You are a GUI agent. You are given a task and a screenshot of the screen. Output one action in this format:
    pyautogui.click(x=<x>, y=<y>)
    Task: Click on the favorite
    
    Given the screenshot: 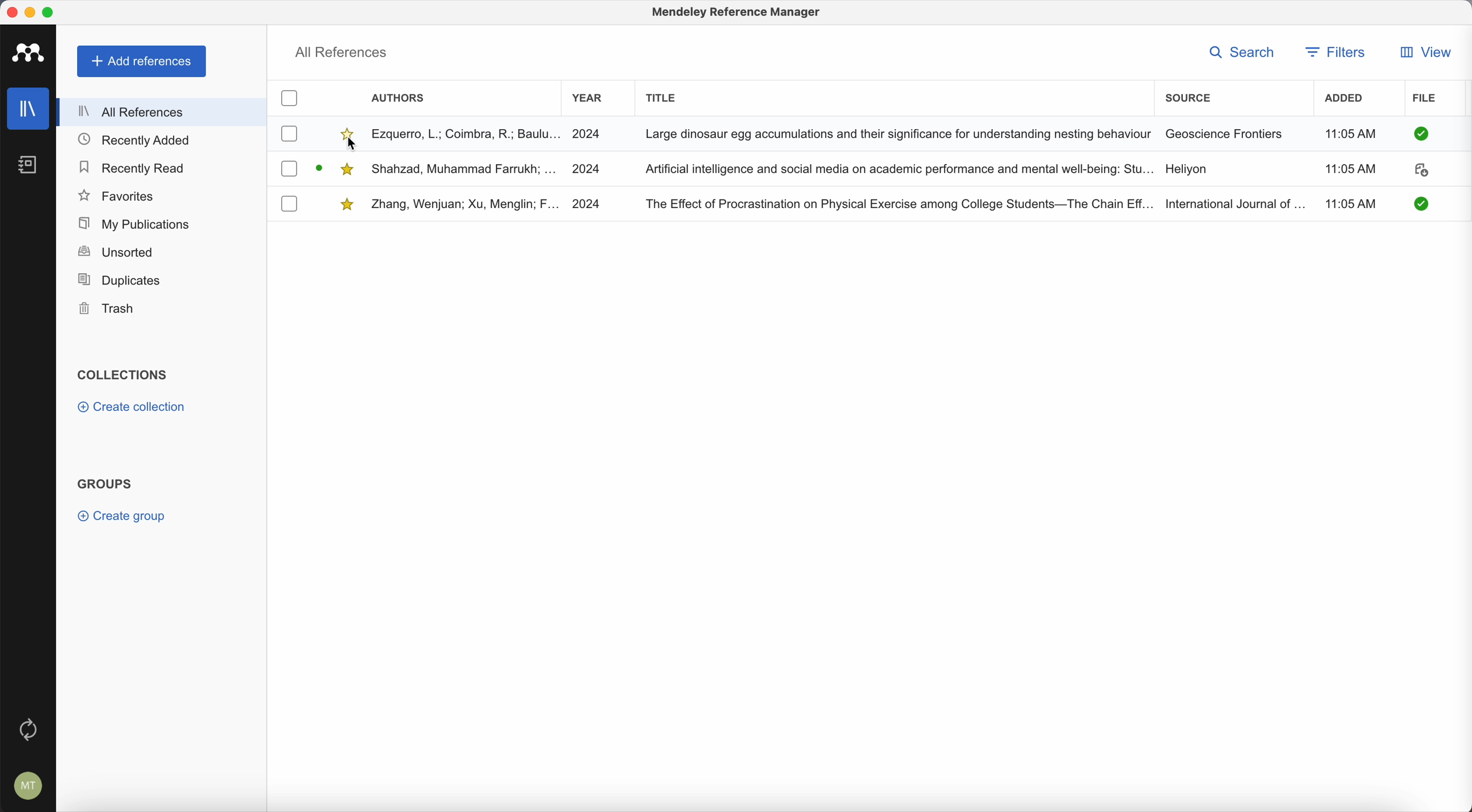 What is the action you would take?
    pyautogui.click(x=348, y=133)
    